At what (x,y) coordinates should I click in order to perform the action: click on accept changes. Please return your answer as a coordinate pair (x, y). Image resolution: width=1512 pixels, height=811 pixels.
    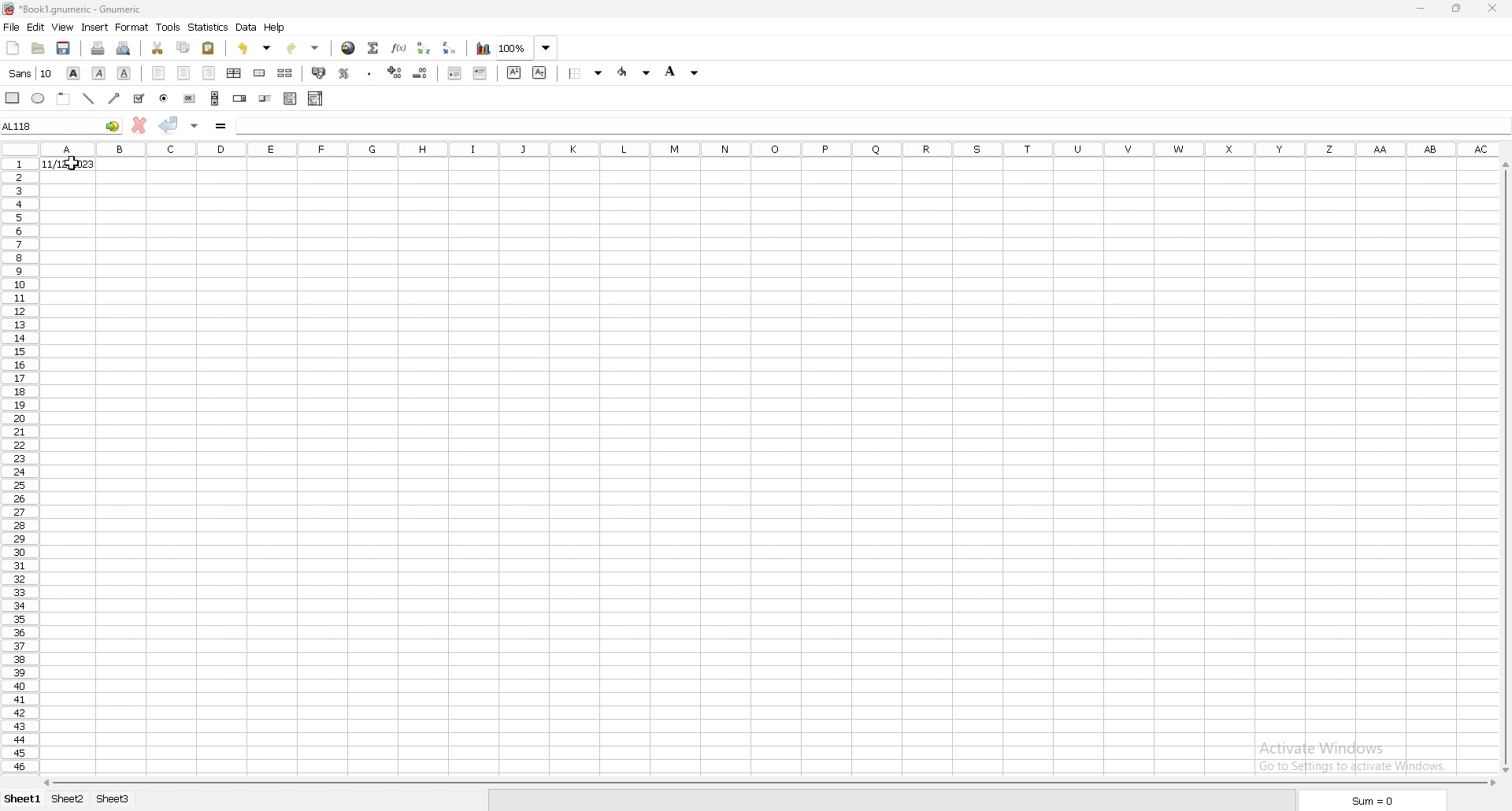
    Looking at the image, I should click on (168, 124).